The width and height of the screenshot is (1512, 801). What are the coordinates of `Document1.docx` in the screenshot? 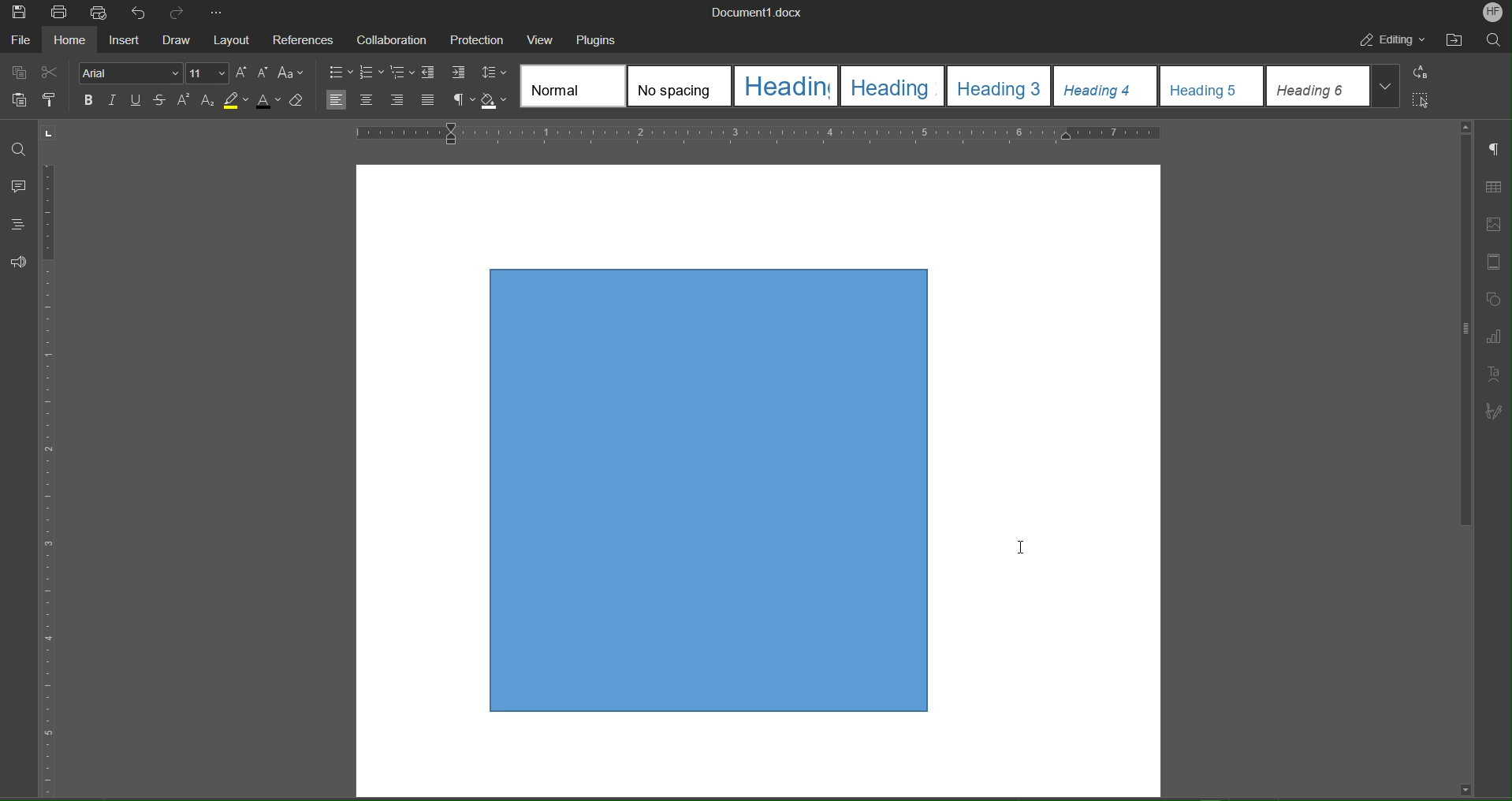 It's located at (767, 13).